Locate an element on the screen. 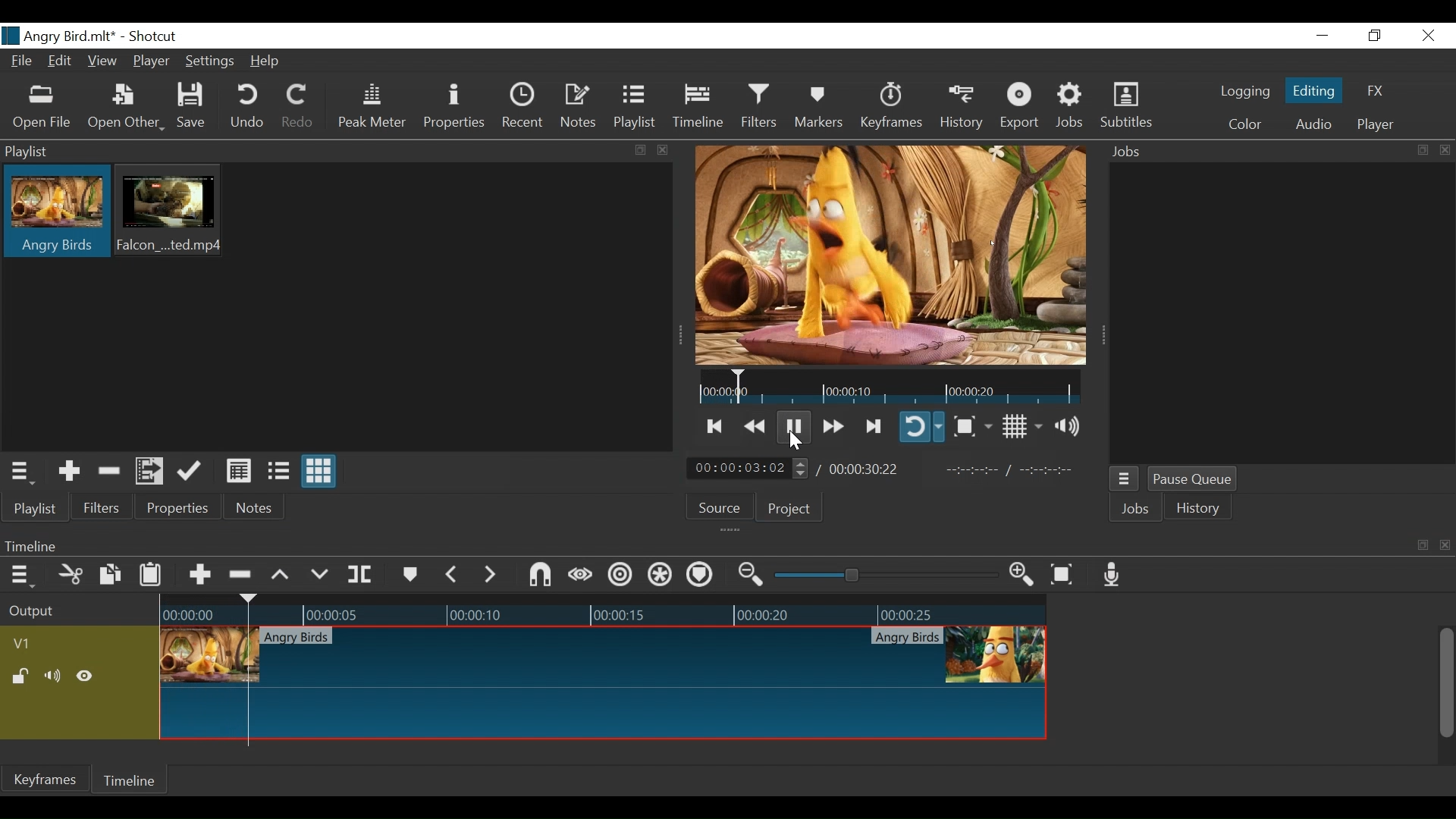 Image resolution: width=1456 pixels, height=819 pixels. Current position is located at coordinates (748, 467).